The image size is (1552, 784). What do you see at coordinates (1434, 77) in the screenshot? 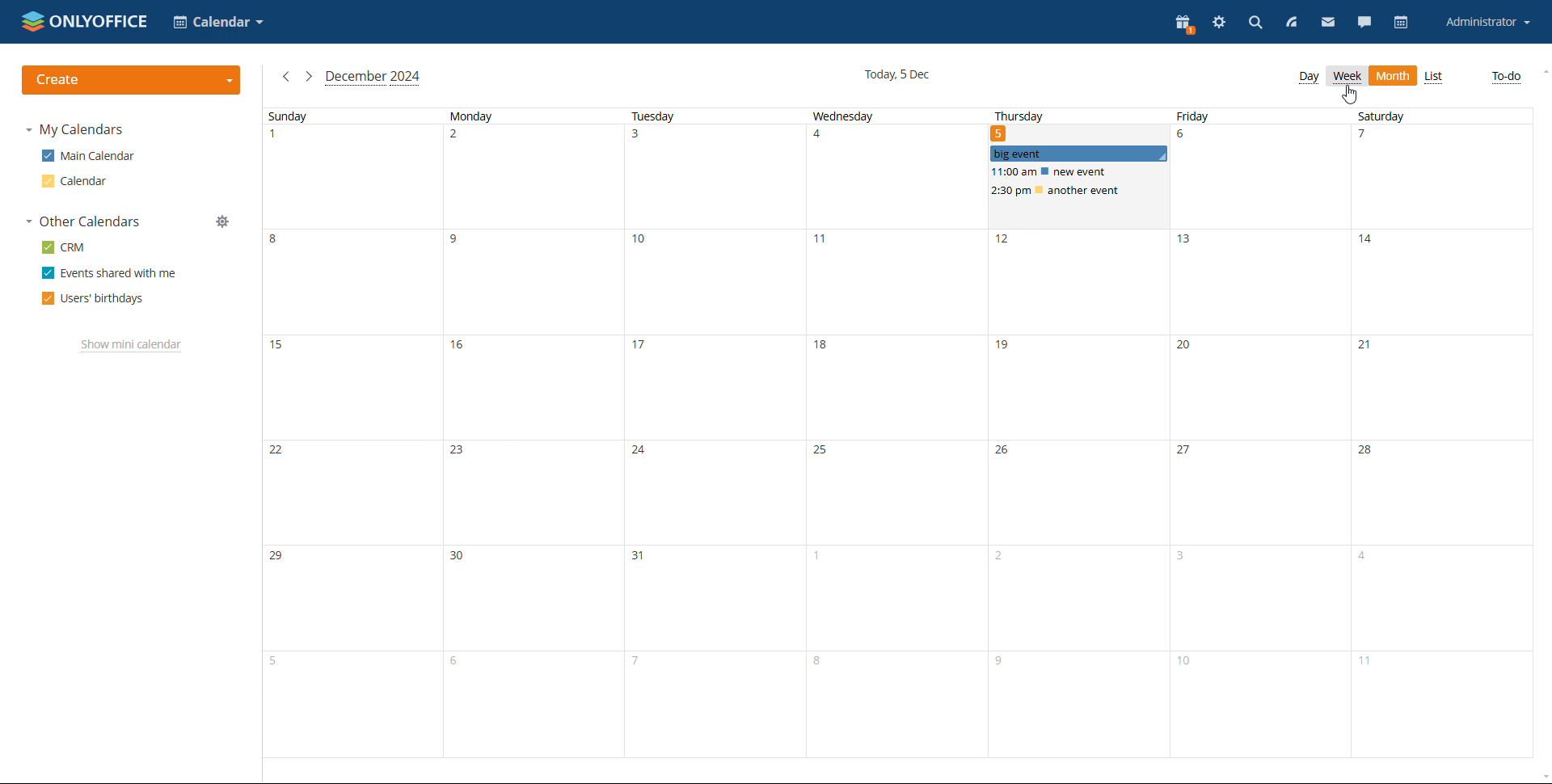
I see `list view` at bounding box center [1434, 77].